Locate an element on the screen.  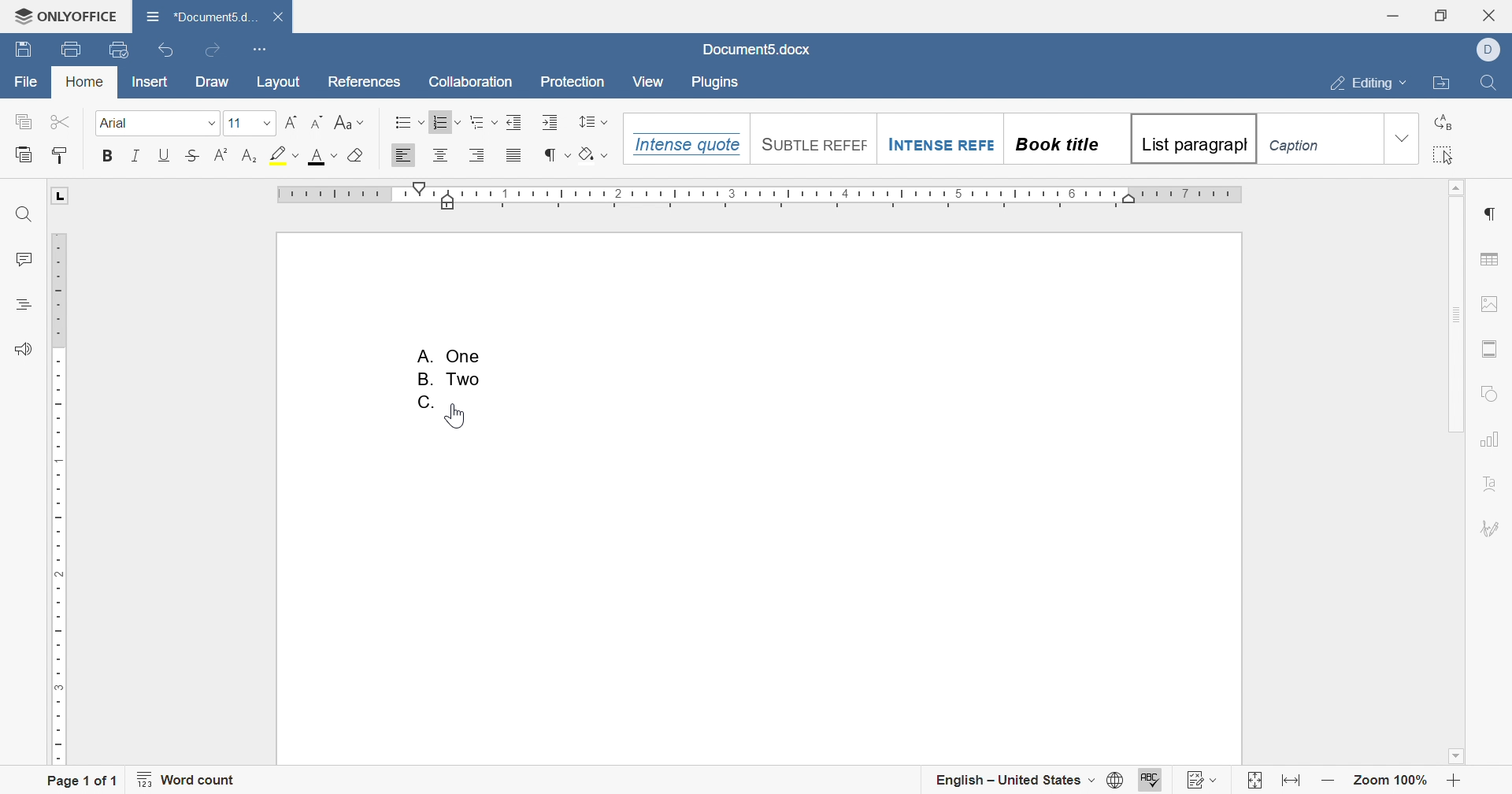
drop down is located at coordinates (210, 124).